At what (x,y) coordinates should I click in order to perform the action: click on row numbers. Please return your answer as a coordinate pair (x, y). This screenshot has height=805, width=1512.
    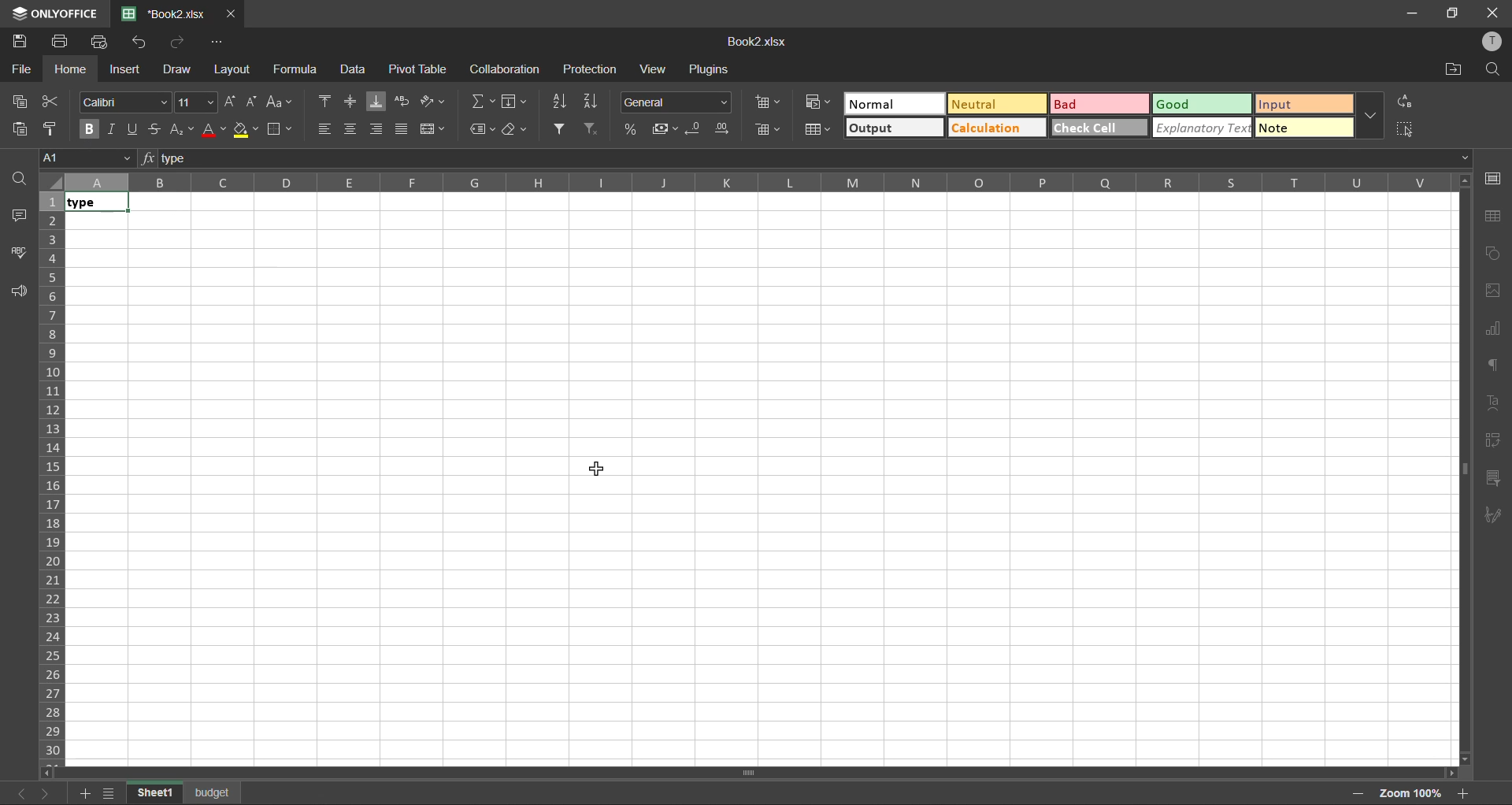
    Looking at the image, I should click on (51, 476).